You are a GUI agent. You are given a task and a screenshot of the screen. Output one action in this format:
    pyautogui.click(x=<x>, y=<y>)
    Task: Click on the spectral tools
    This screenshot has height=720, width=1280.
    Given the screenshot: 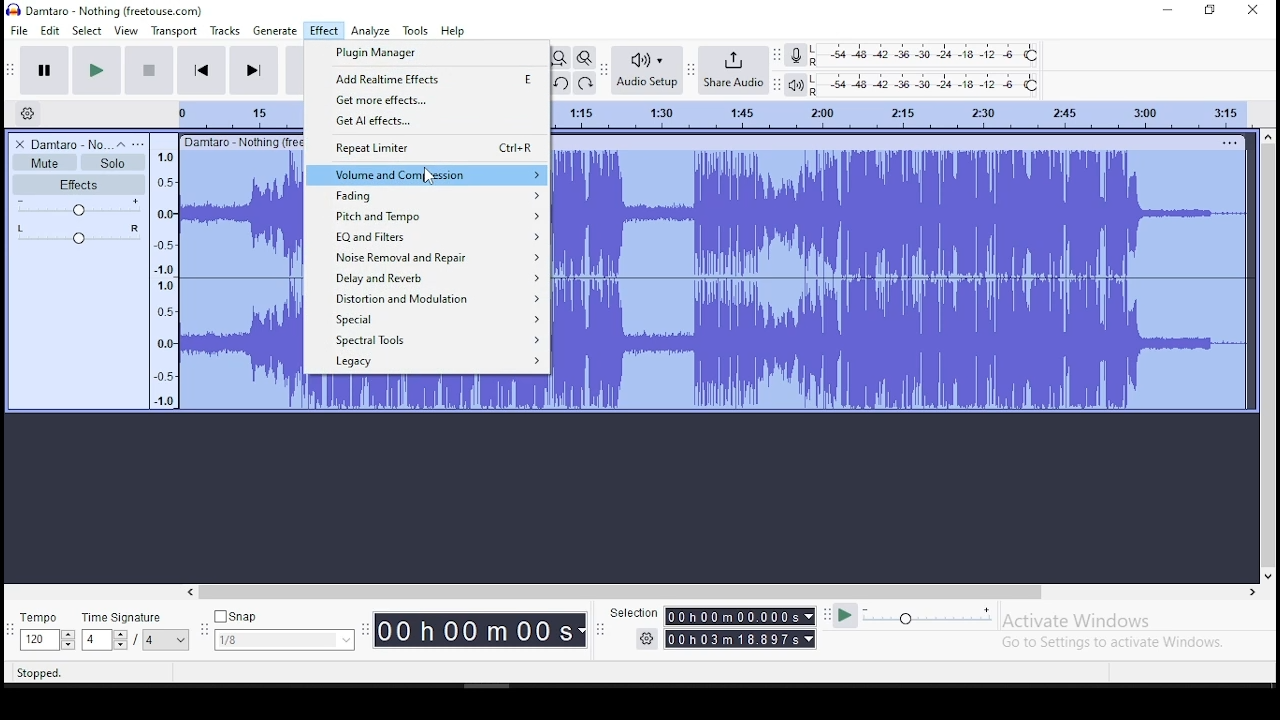 What is the action you would take?
    pyautogui.click(x=430, y=339)
    